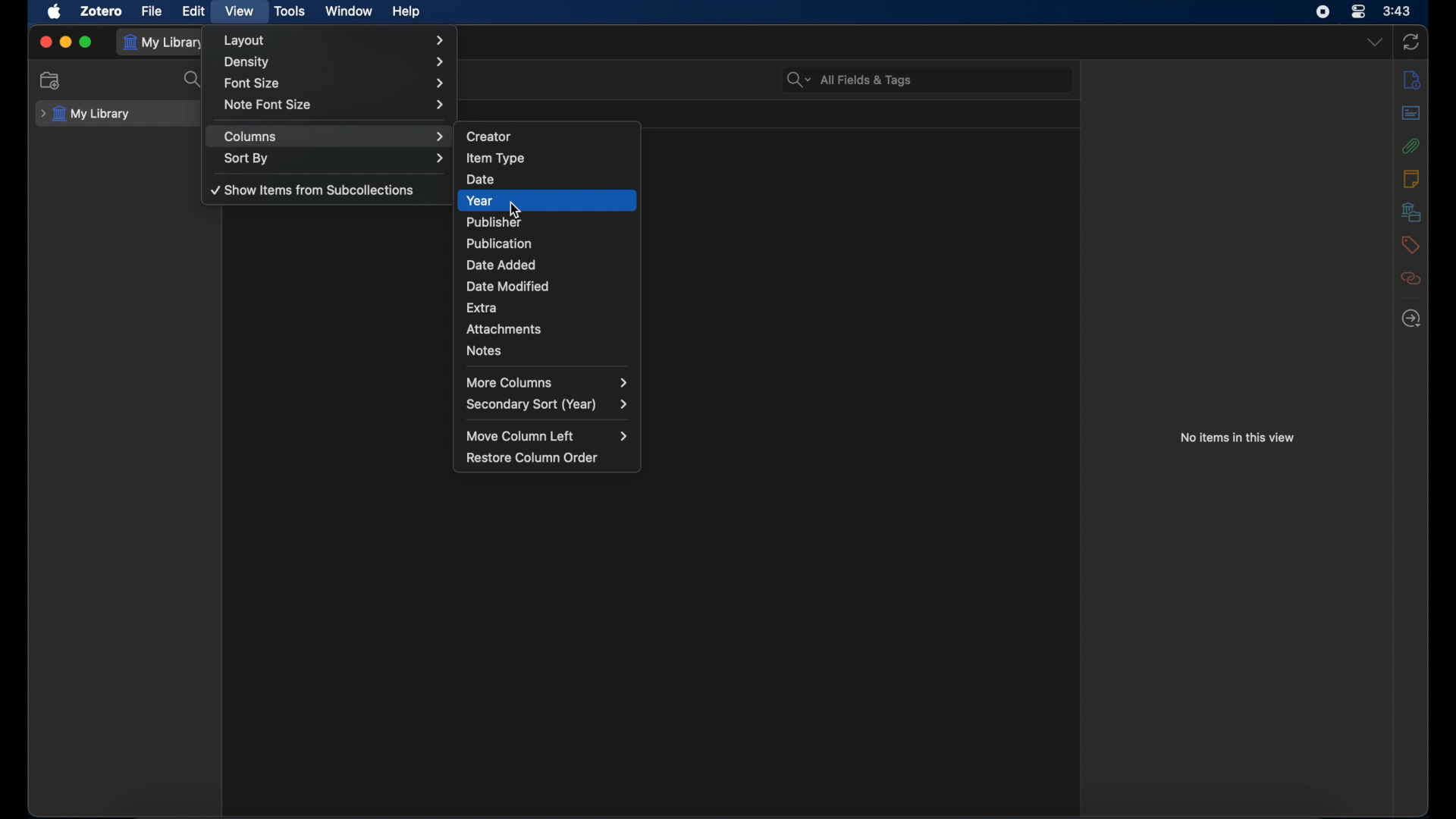 This screenshot has height=819, width=1456. What do you see at coordinates (543, 287) in the screenshot?
I see `date modified` at bounding box center [543, 287].